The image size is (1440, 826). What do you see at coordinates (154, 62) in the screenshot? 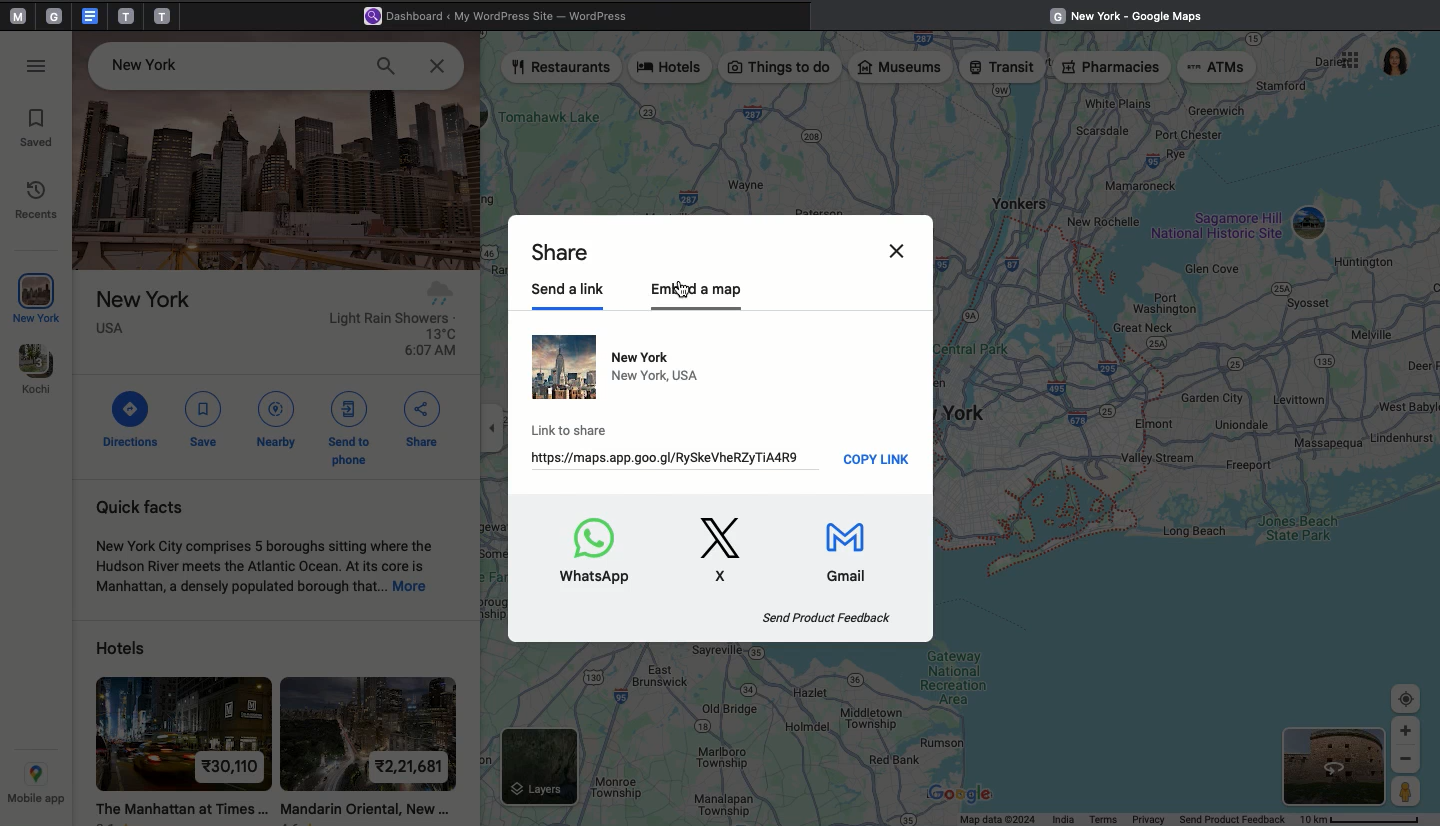
I see `Place -New York` at bounding box center [154, 62].